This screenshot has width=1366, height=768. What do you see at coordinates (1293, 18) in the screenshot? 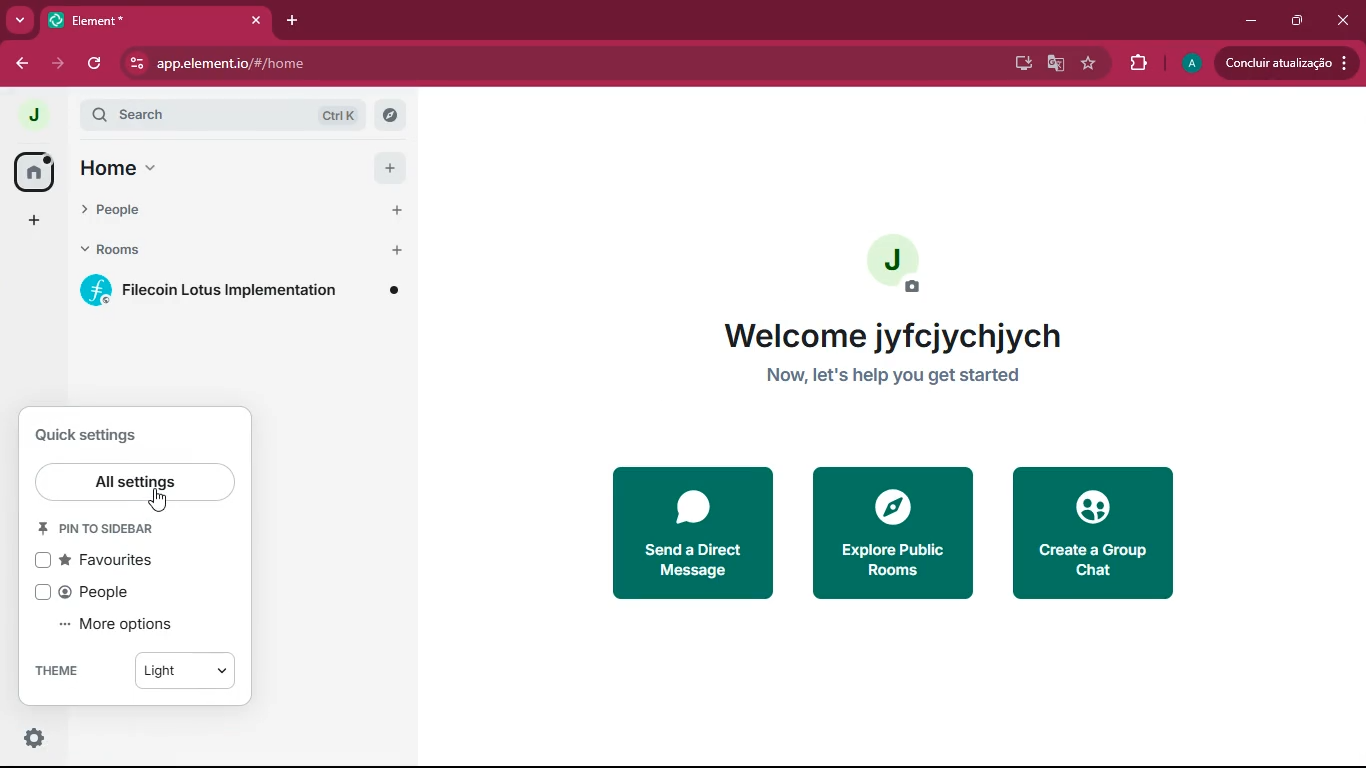
I see `maximize` at bounding box center [1293, 18].